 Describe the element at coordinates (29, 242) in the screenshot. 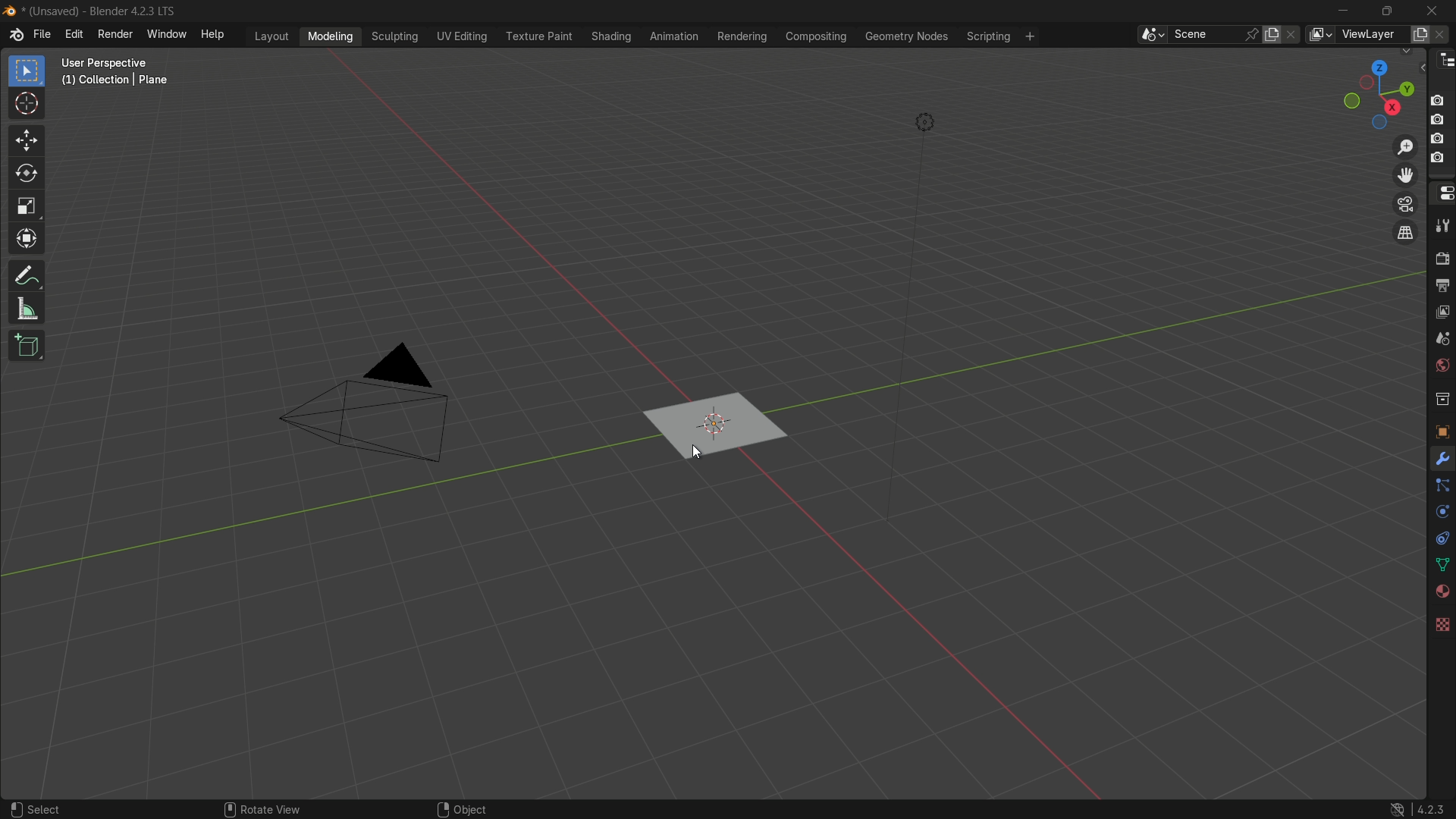

I see `transform` at that location.